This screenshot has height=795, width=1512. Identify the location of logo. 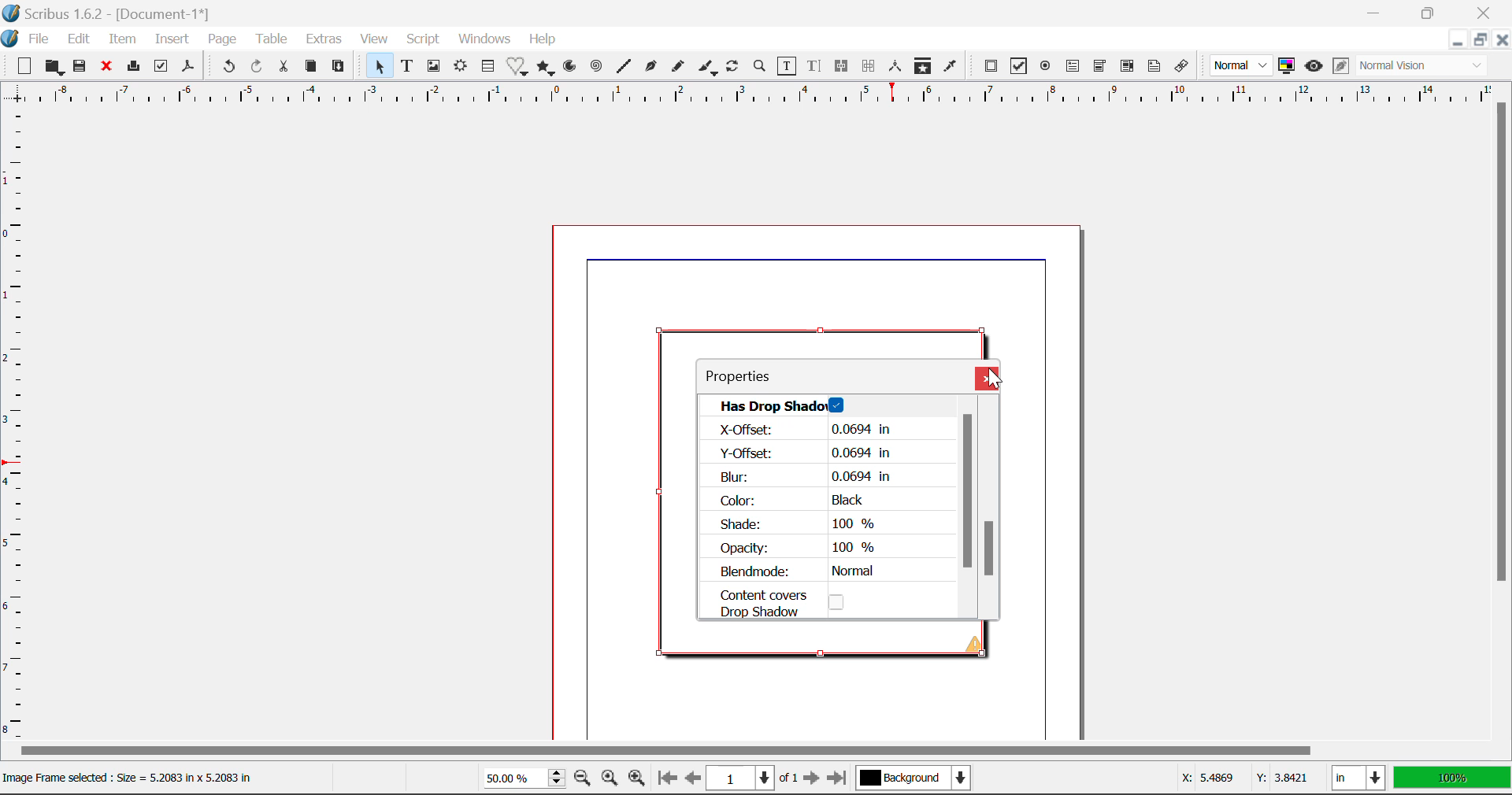
(9, 39).